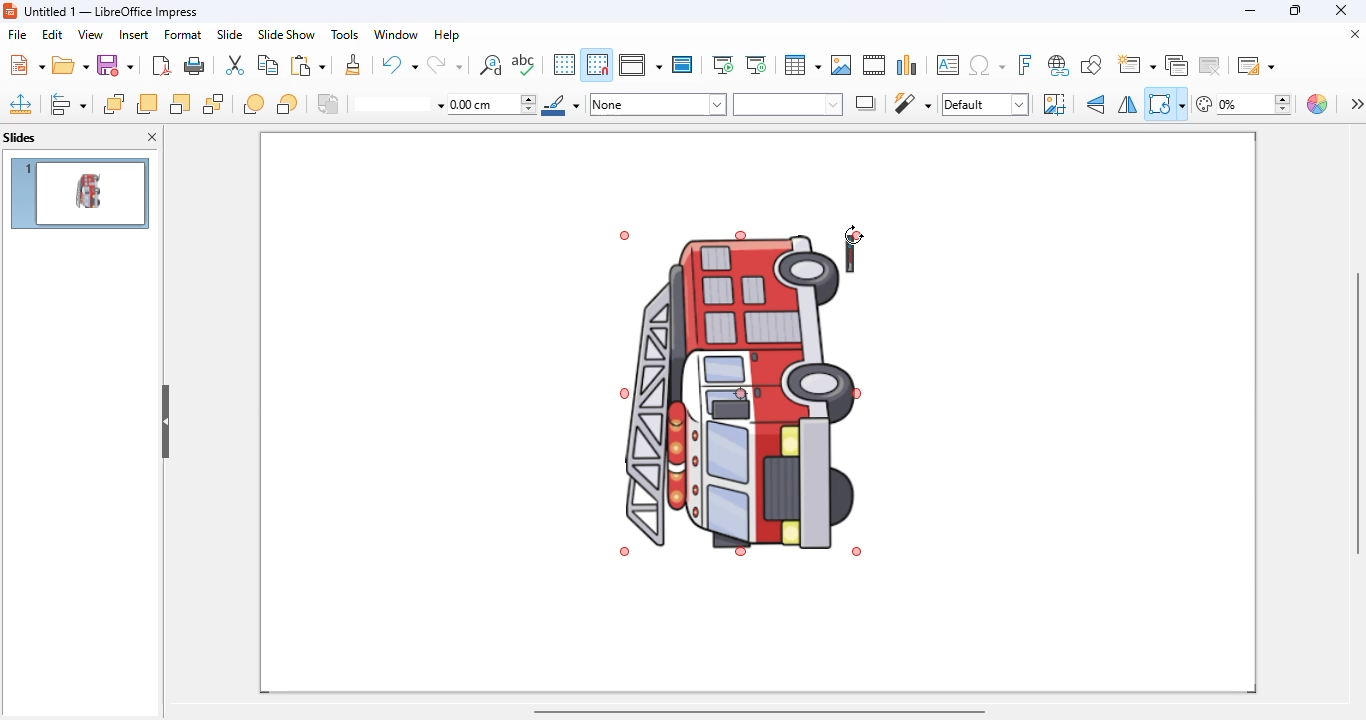  I want to click on line color, so click(561, 104).